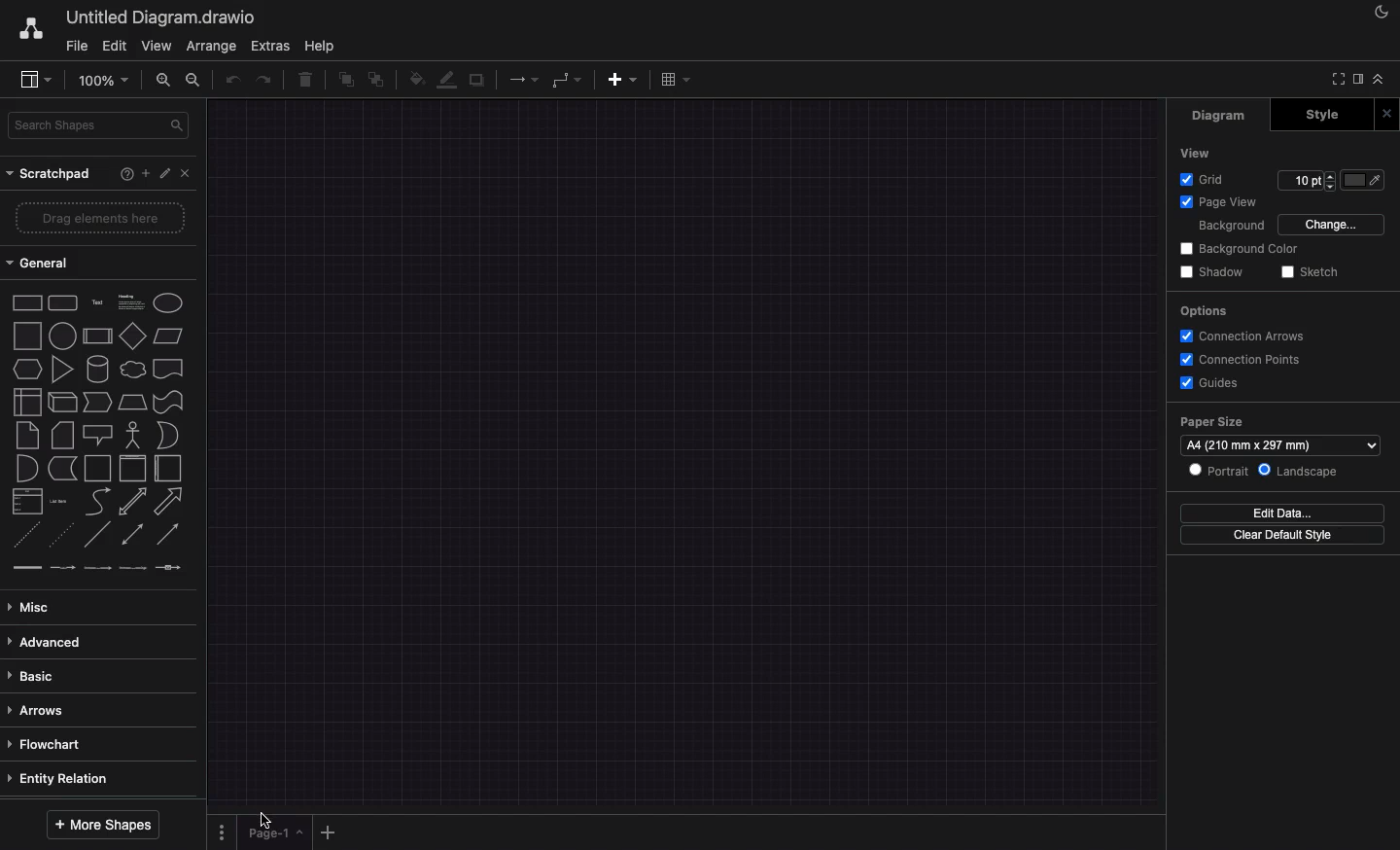 Image resolution: width=1400 pixels, height=850 pixels. Describe the element at coordinates (98, 337) in the screenshot. I see `process` at that location.